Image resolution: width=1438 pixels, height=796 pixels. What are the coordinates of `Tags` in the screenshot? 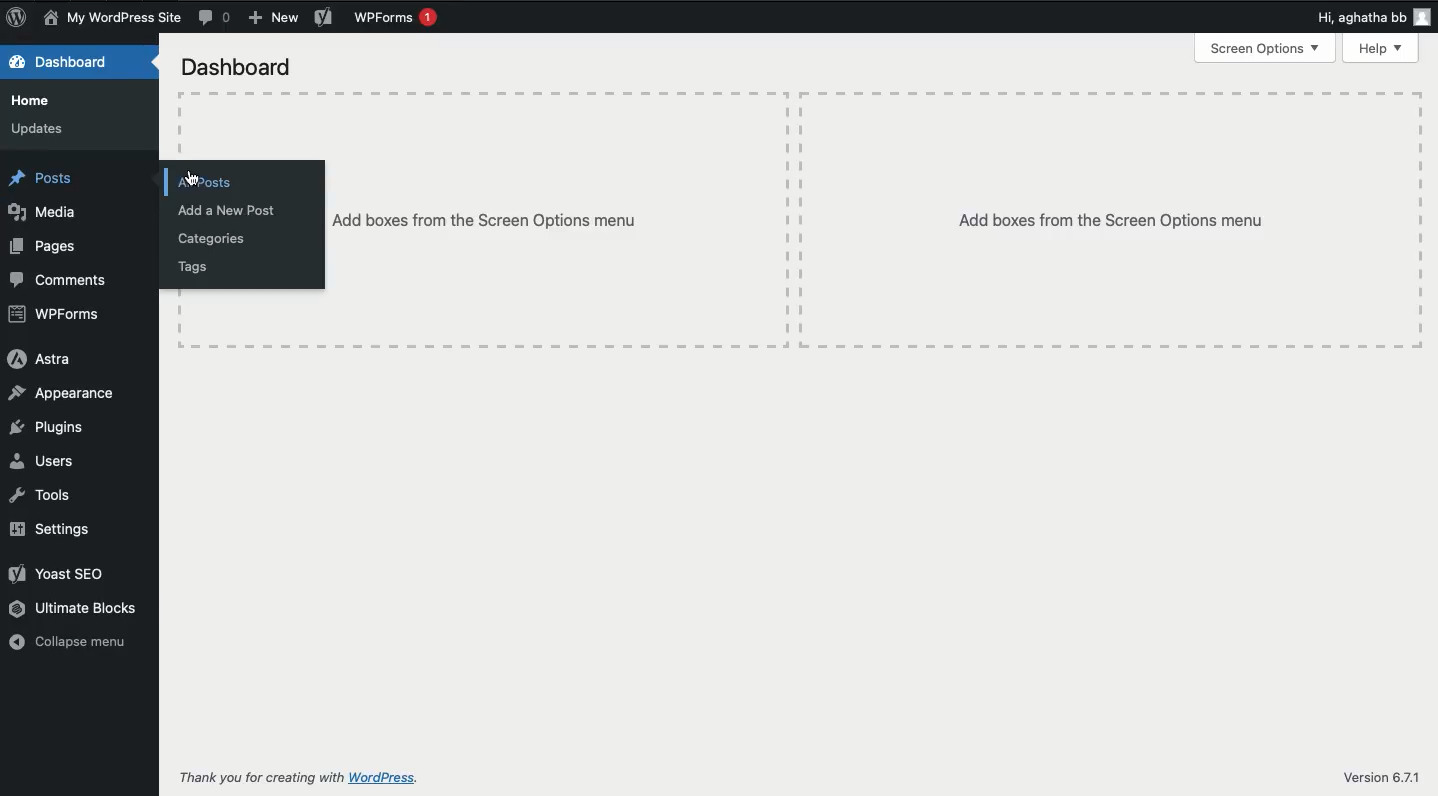 It's located at (191, 270).